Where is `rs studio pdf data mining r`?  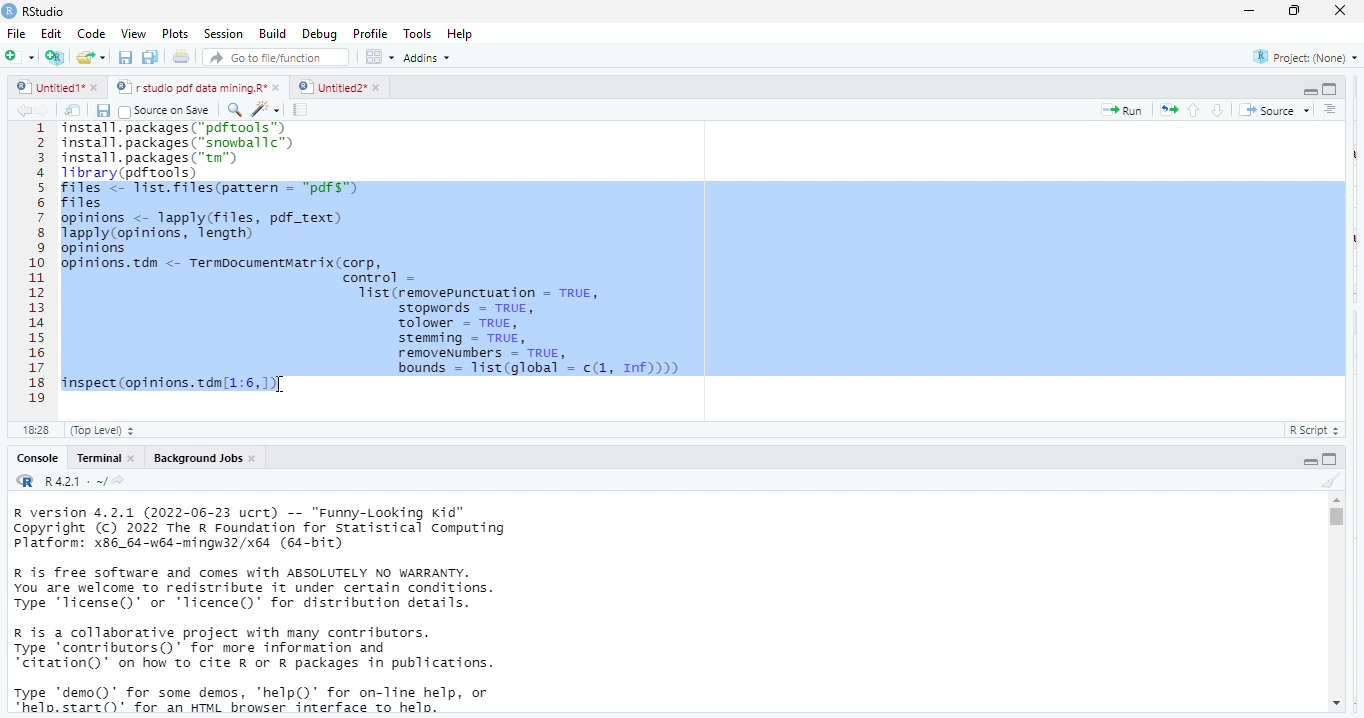 rs studio pdf data mining r is located at coordinates (190, 88).